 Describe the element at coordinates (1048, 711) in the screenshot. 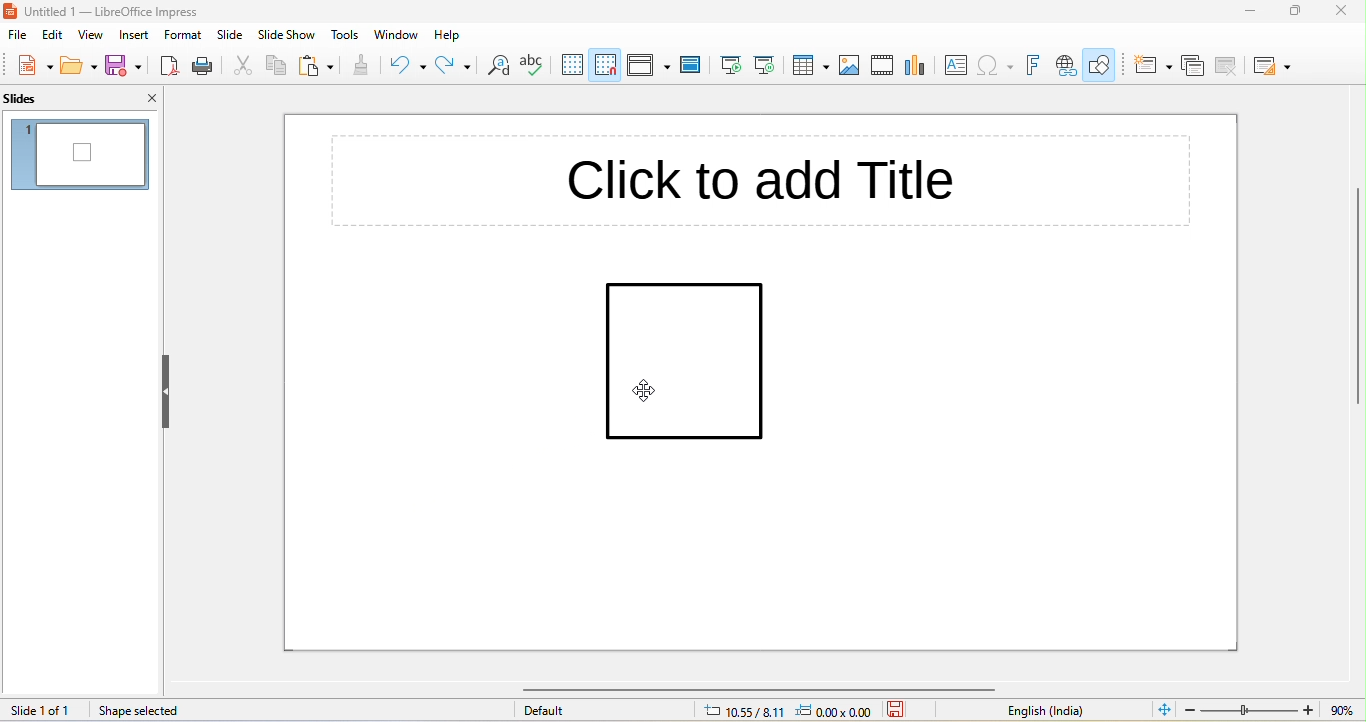

I see `english` at that location.